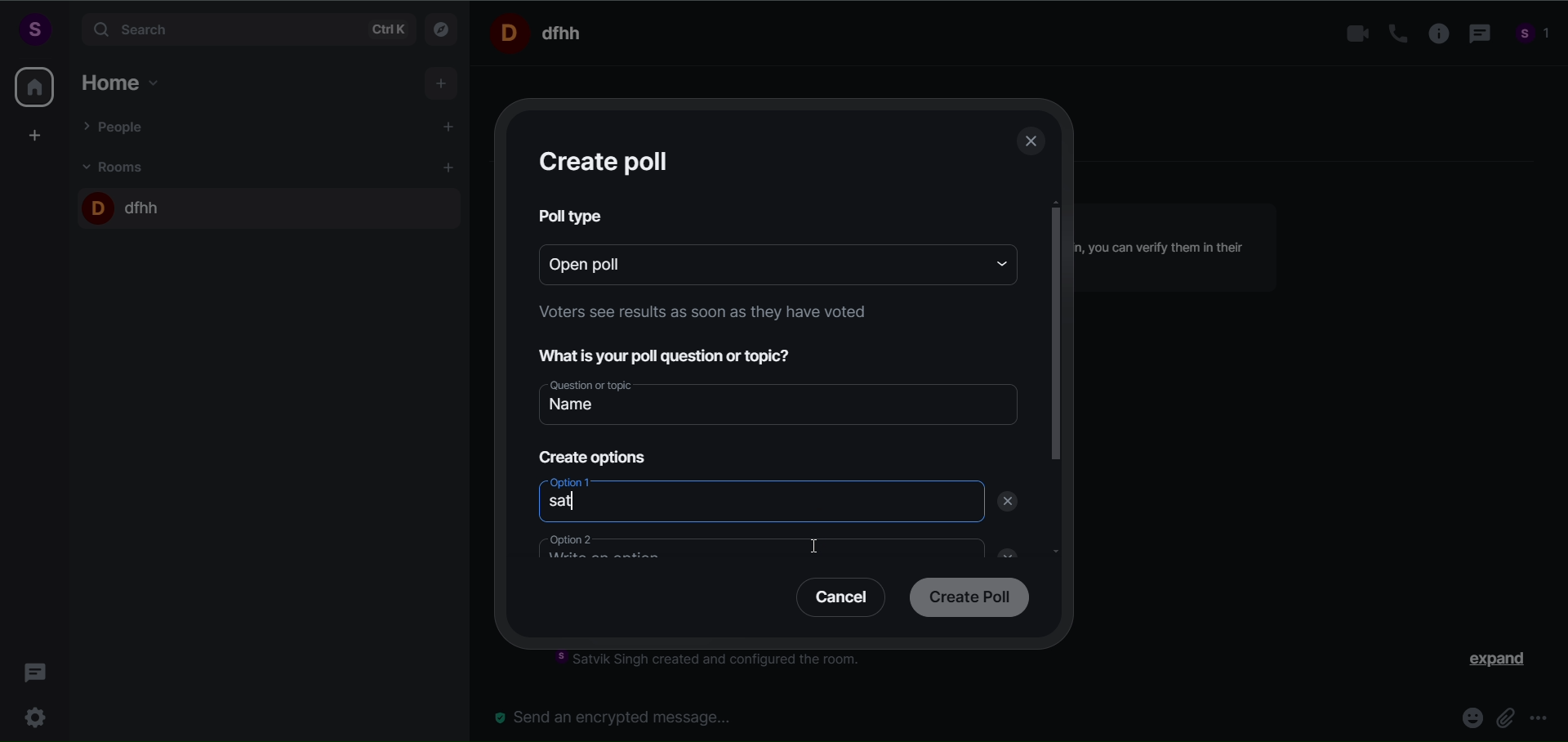  What do you see at coordinates (1433, 34) in the screenshot?
I see `room info` at bounding box center [1433, 34].